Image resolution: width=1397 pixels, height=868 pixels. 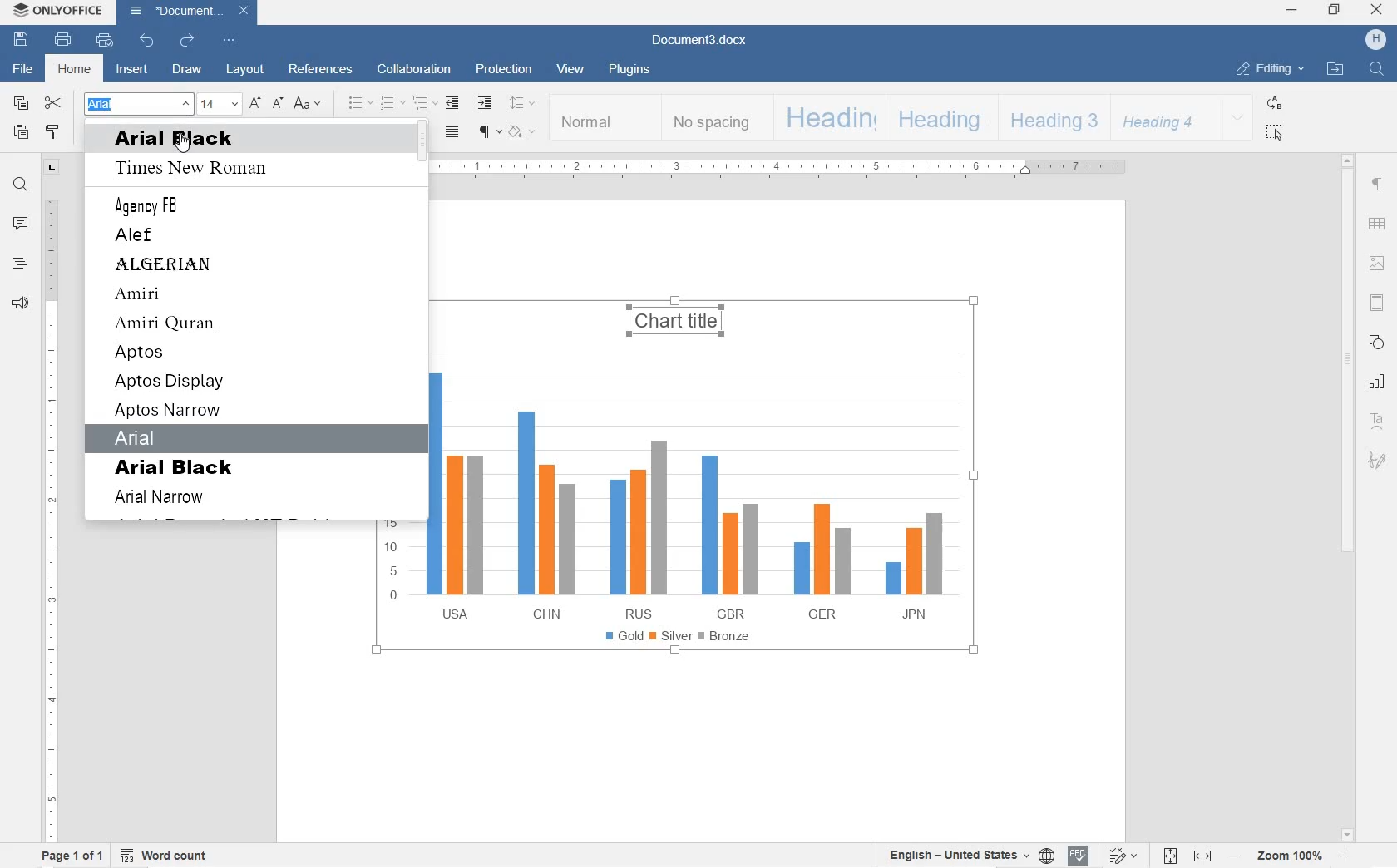 What do you see at coordinates (58, 11) in the screenshot?
I see `ONLYOFFICE` at bounding box center [58, 11].